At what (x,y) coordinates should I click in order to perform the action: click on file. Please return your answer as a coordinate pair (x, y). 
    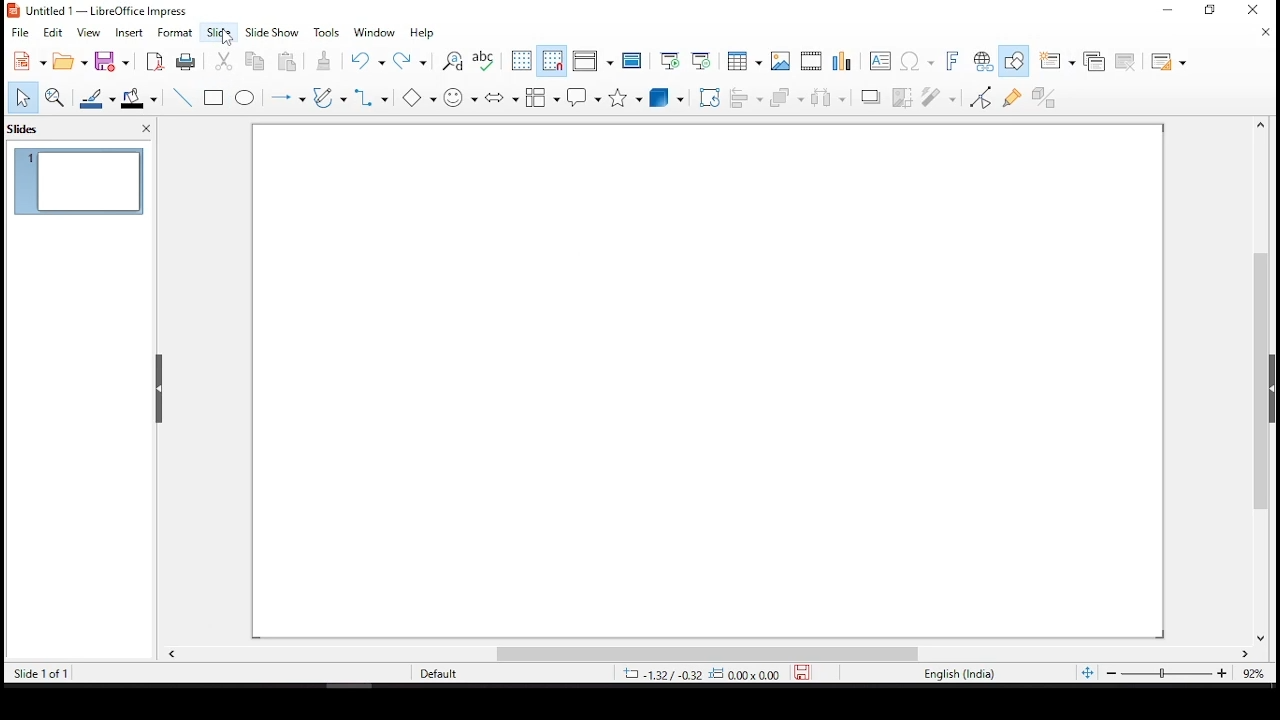
    Looking at the image, I should click on (20, 32).